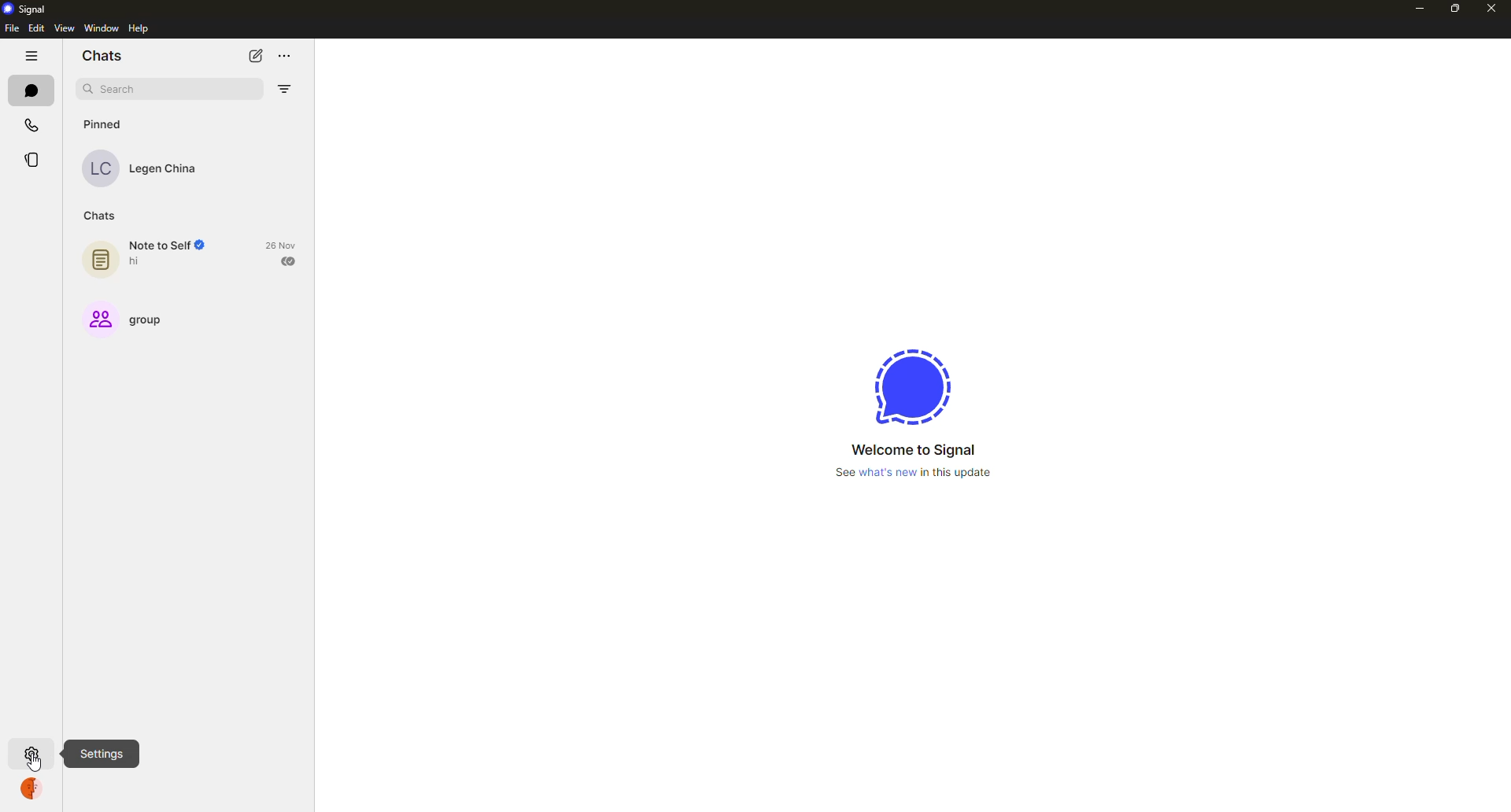  What do you see at coordinates (1417, 8) in the screenshot?
I see `minimize` at bounding box center [1417, 8].